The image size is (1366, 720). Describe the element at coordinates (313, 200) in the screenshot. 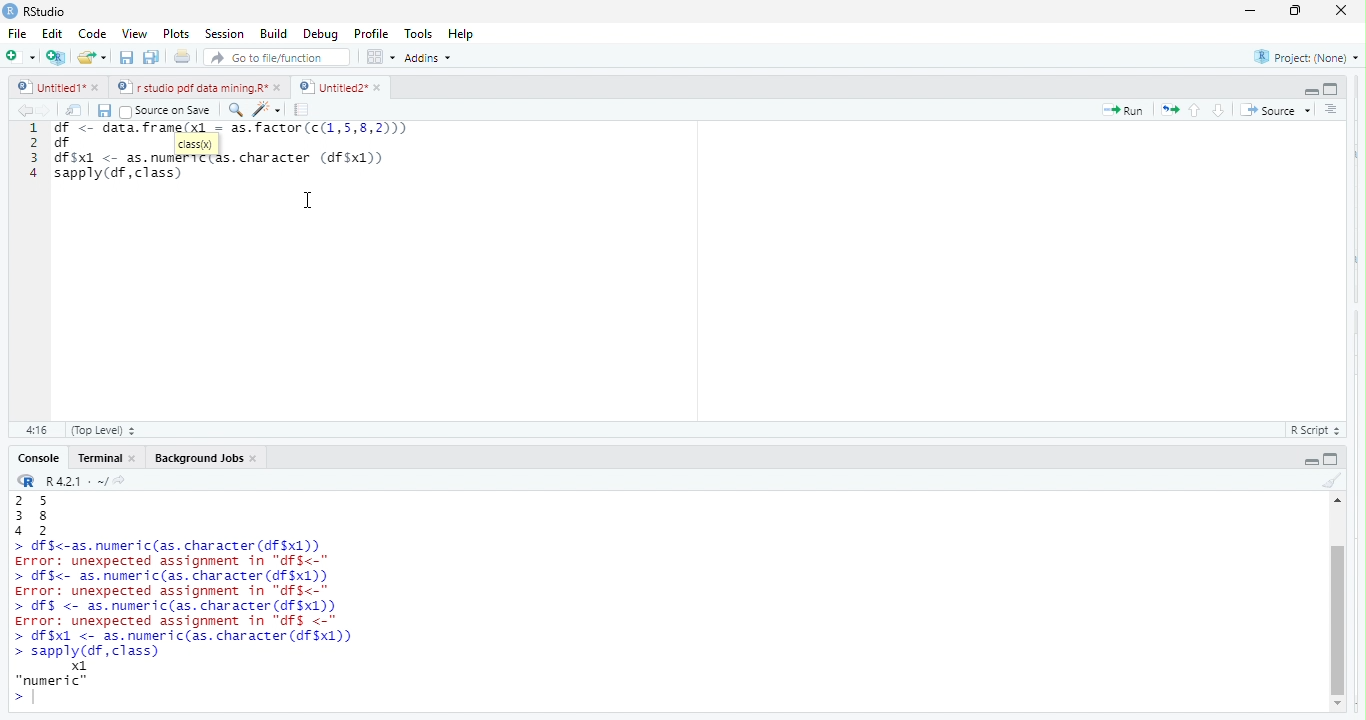

I see `cursor movement` at that location.